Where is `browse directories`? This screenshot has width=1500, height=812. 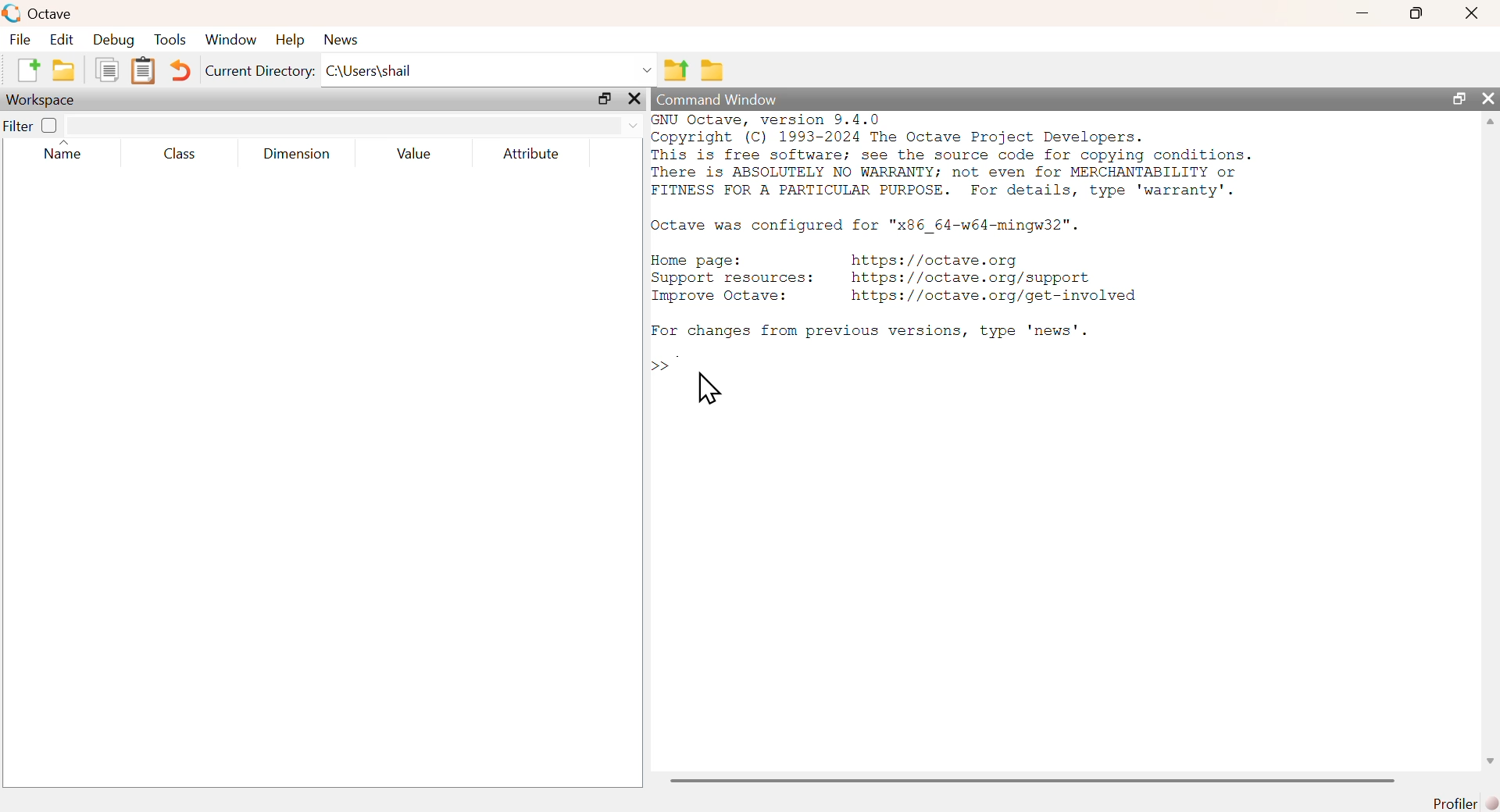 browse directories is located at coordinates (713, 71).